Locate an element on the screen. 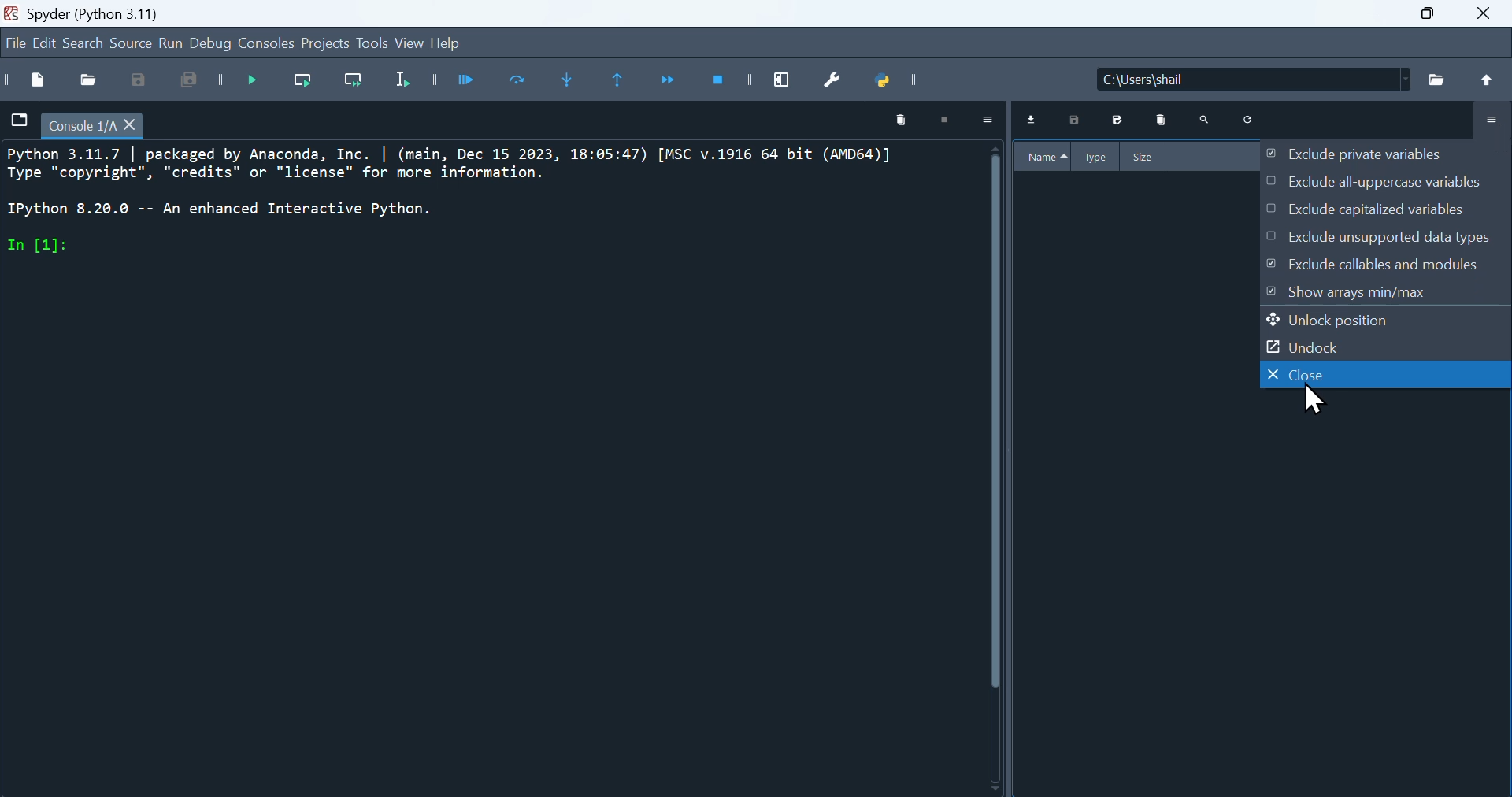 The width and height of the screenshot is (1512, 797). Run current line and go to the next one is located at coordinates (358, 84).